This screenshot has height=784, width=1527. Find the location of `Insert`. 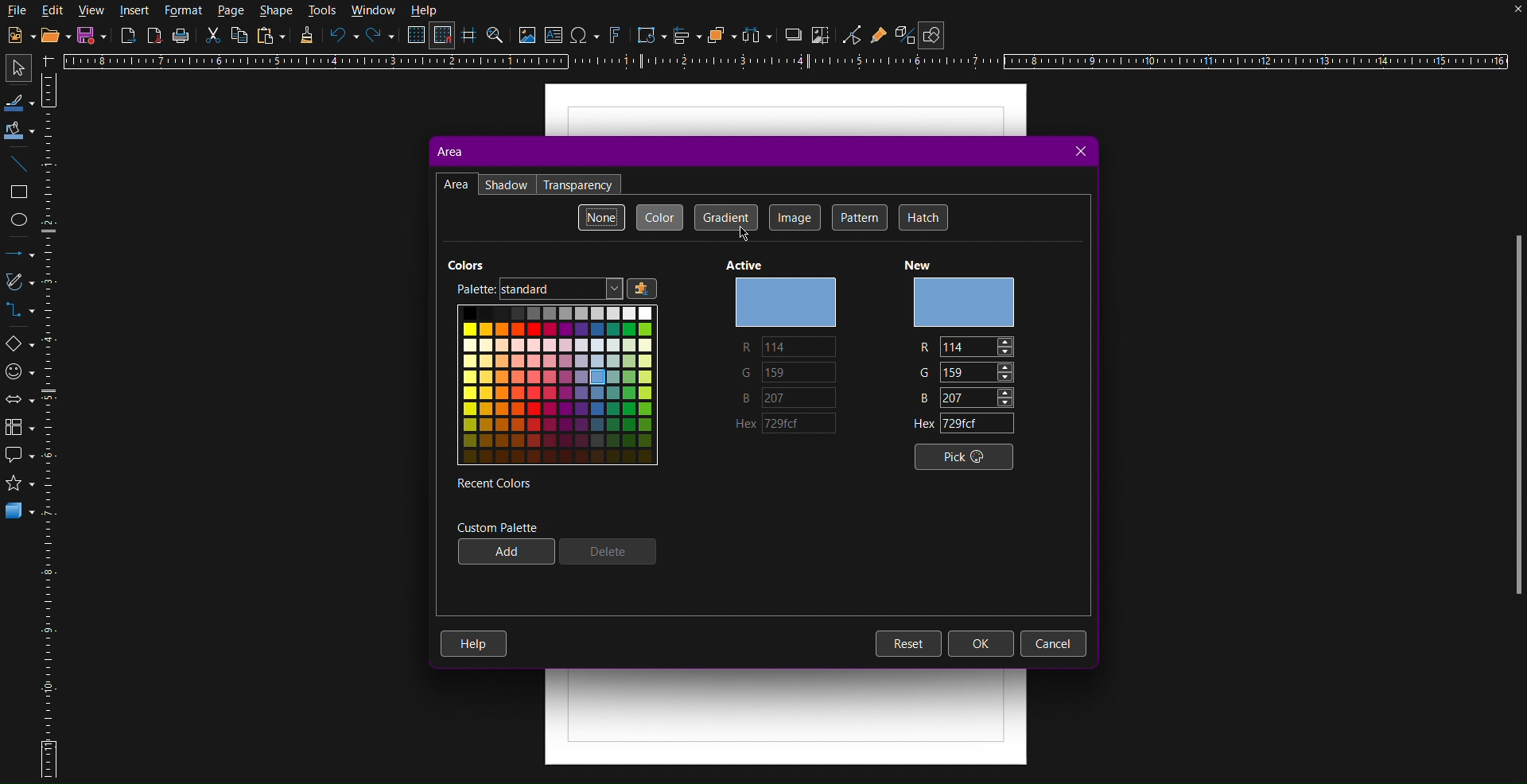

Insert is located at coordinates (136, 12).